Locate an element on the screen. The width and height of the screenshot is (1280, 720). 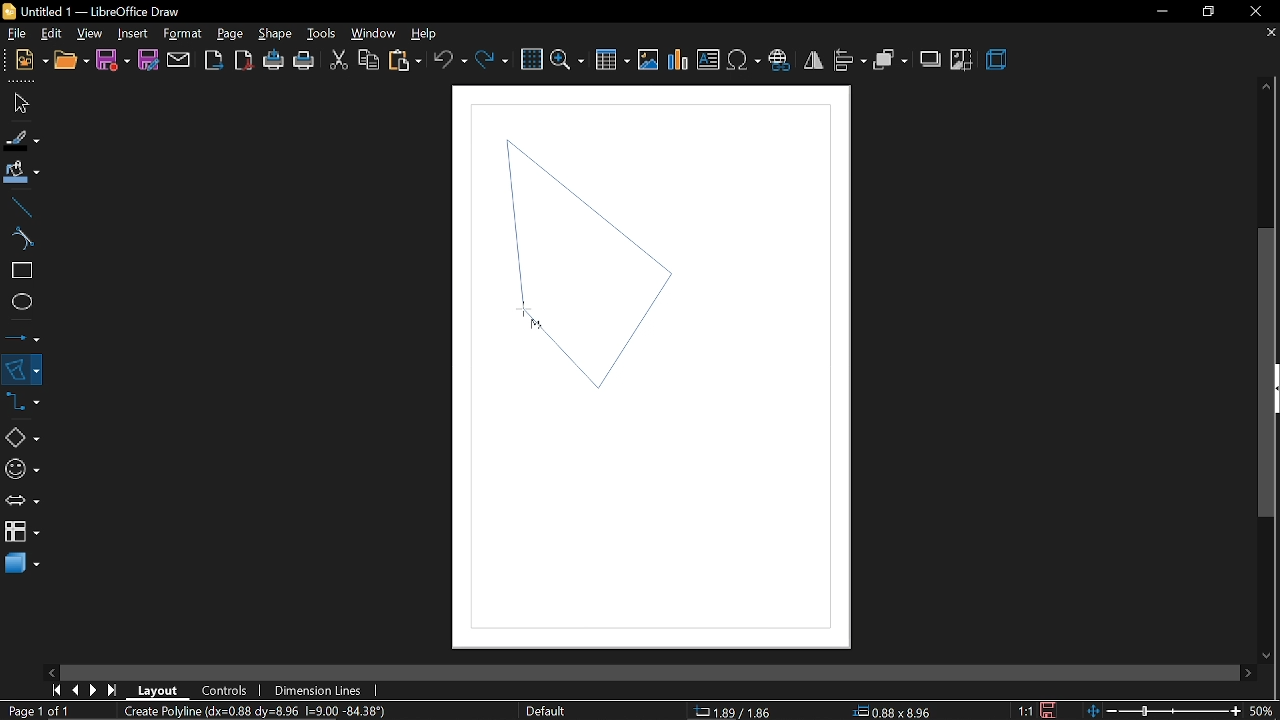
symbol shapes is located at coordinates (21, 469).